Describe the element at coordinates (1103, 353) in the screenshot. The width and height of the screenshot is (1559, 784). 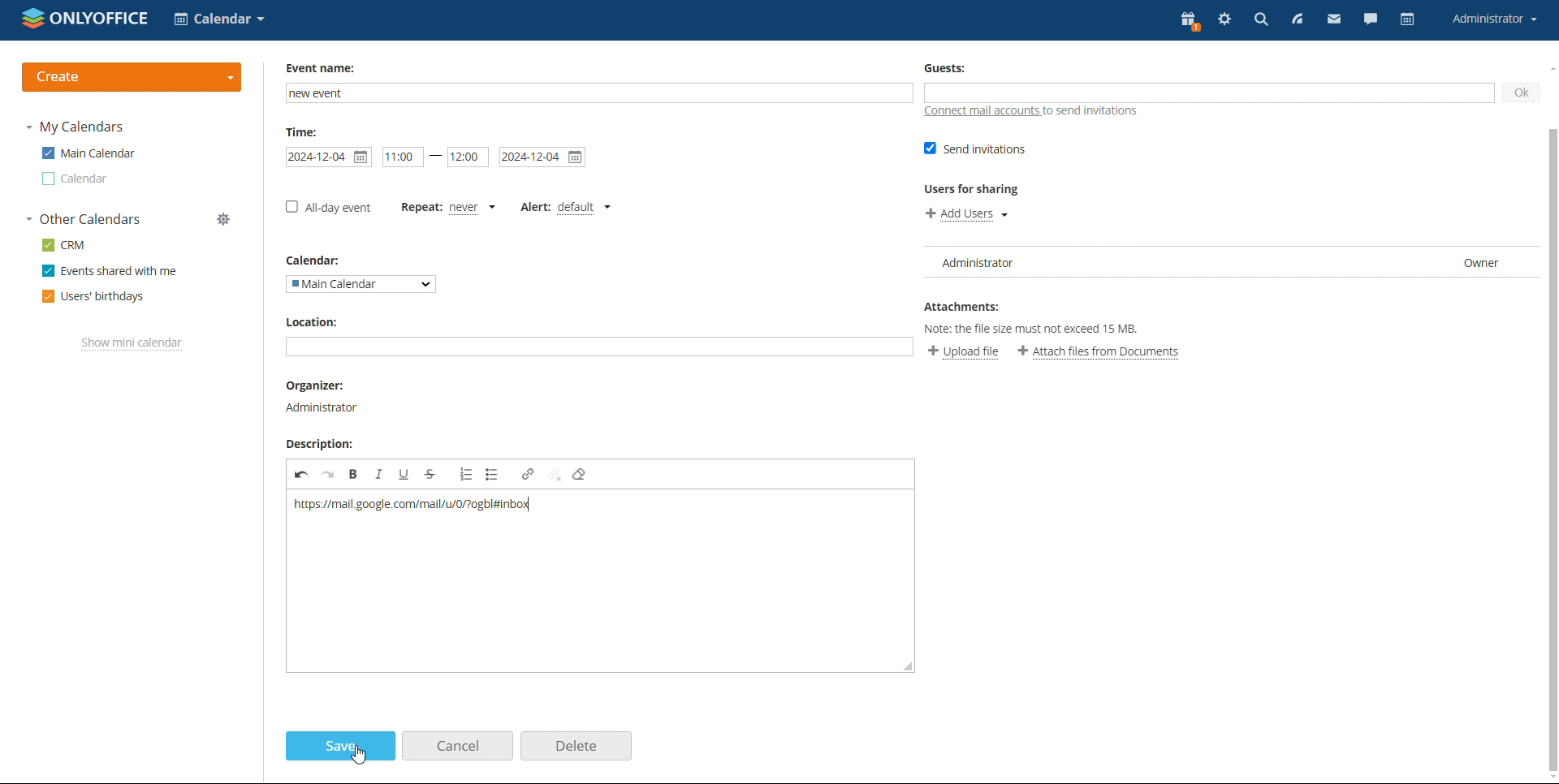
I see `attach file from documents` at that location.